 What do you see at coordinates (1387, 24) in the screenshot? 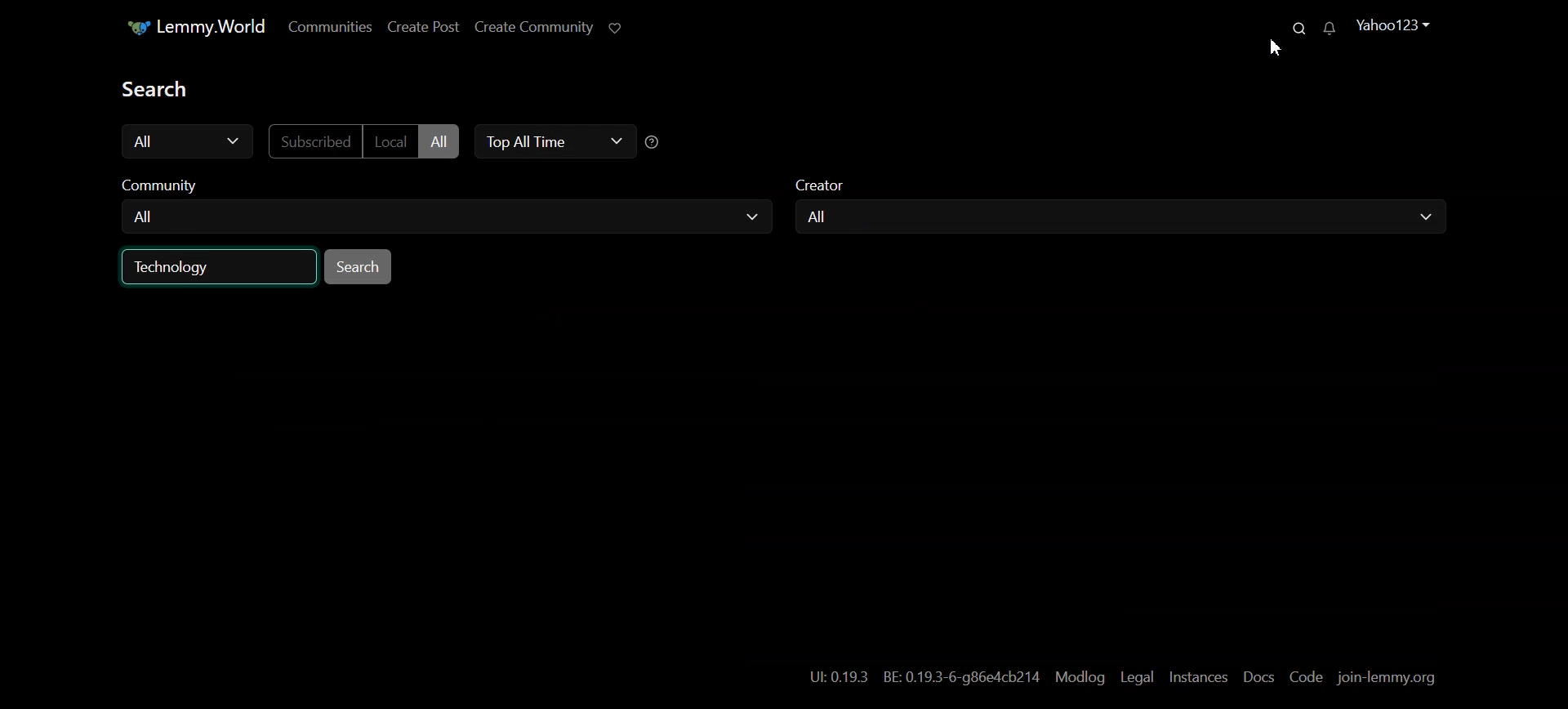
I see `Profile` at bounding box center [1387, 24].